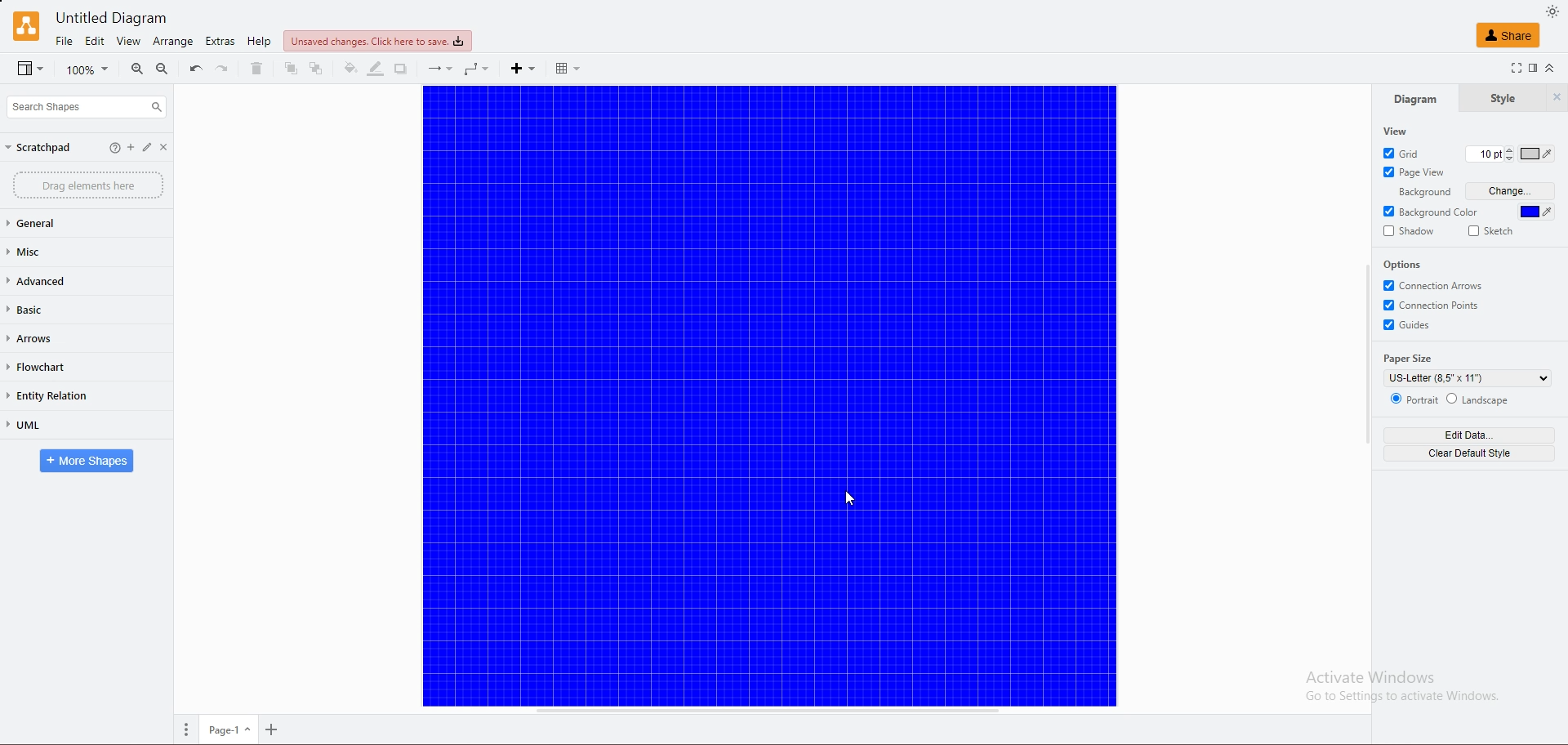  What do you see at coordinates (61, 339) in the screenshot?
I see `arrows` at bounding box center [61, 339].